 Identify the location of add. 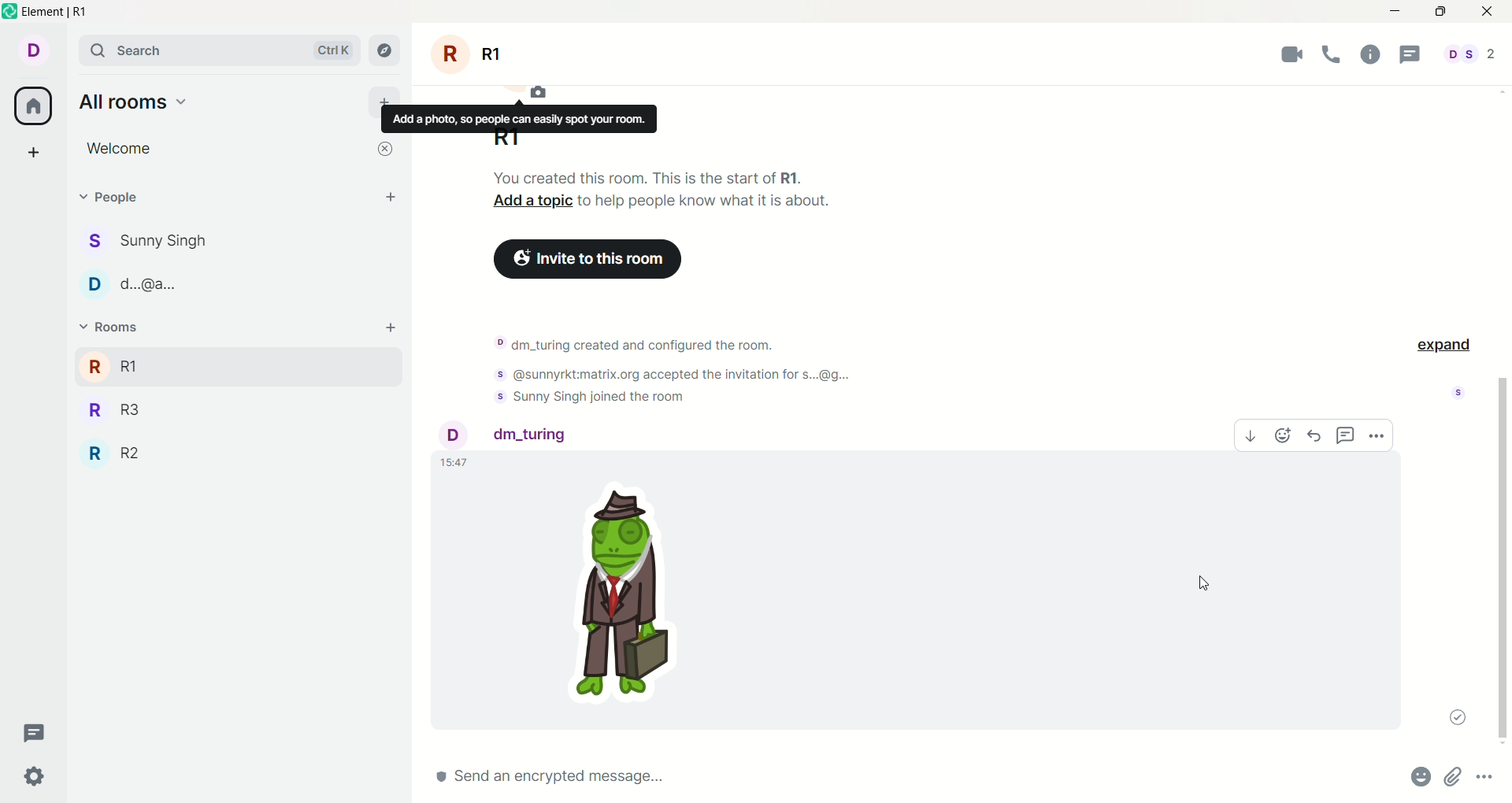
(391, 327).